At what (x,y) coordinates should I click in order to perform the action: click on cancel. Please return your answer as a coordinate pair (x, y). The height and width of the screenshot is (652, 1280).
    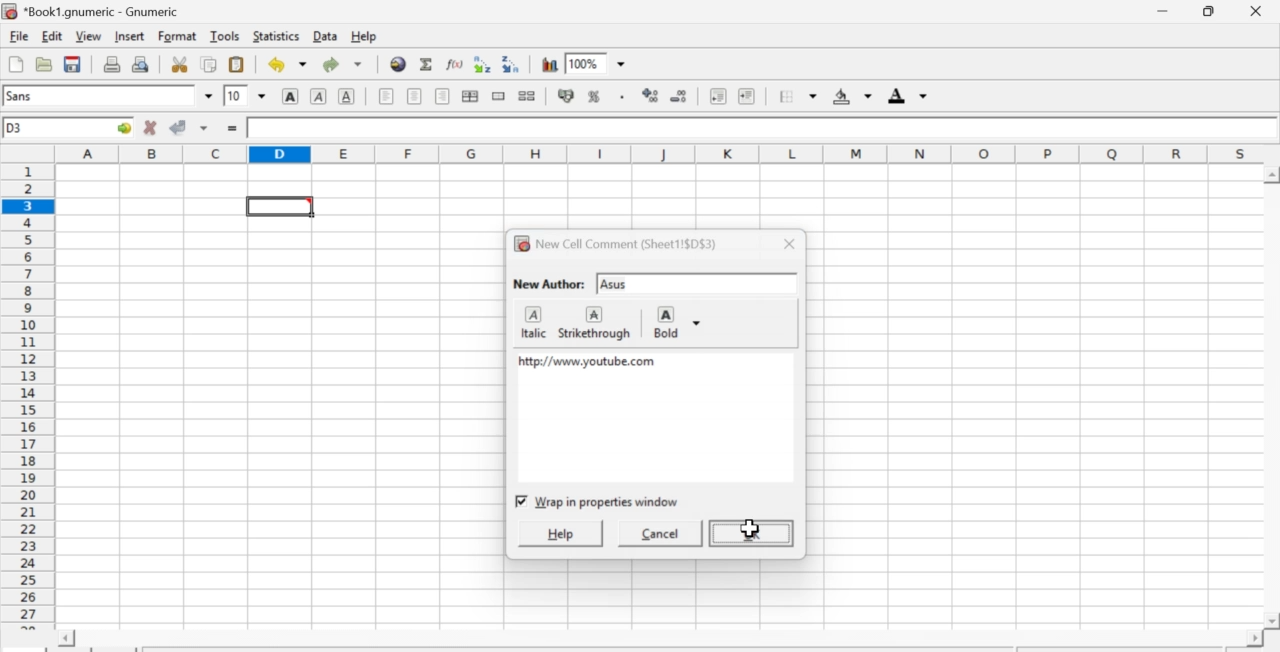
    Looking at the image, I should click on (658, 533).